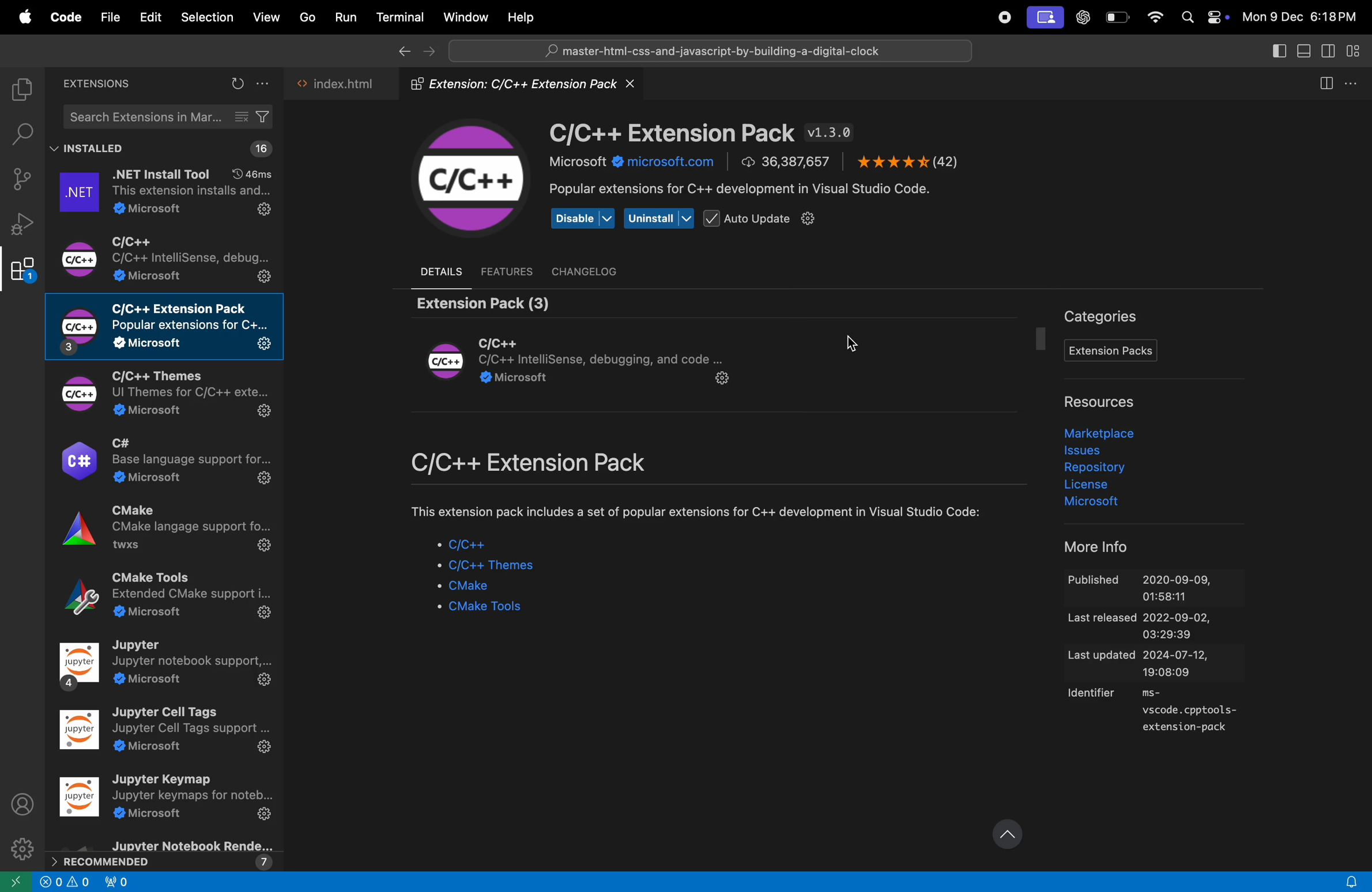 The image size is (1372, 892). Describe the element at coordinates (477, 301) in the screenshot. I see `extension pack (3)` at that location.